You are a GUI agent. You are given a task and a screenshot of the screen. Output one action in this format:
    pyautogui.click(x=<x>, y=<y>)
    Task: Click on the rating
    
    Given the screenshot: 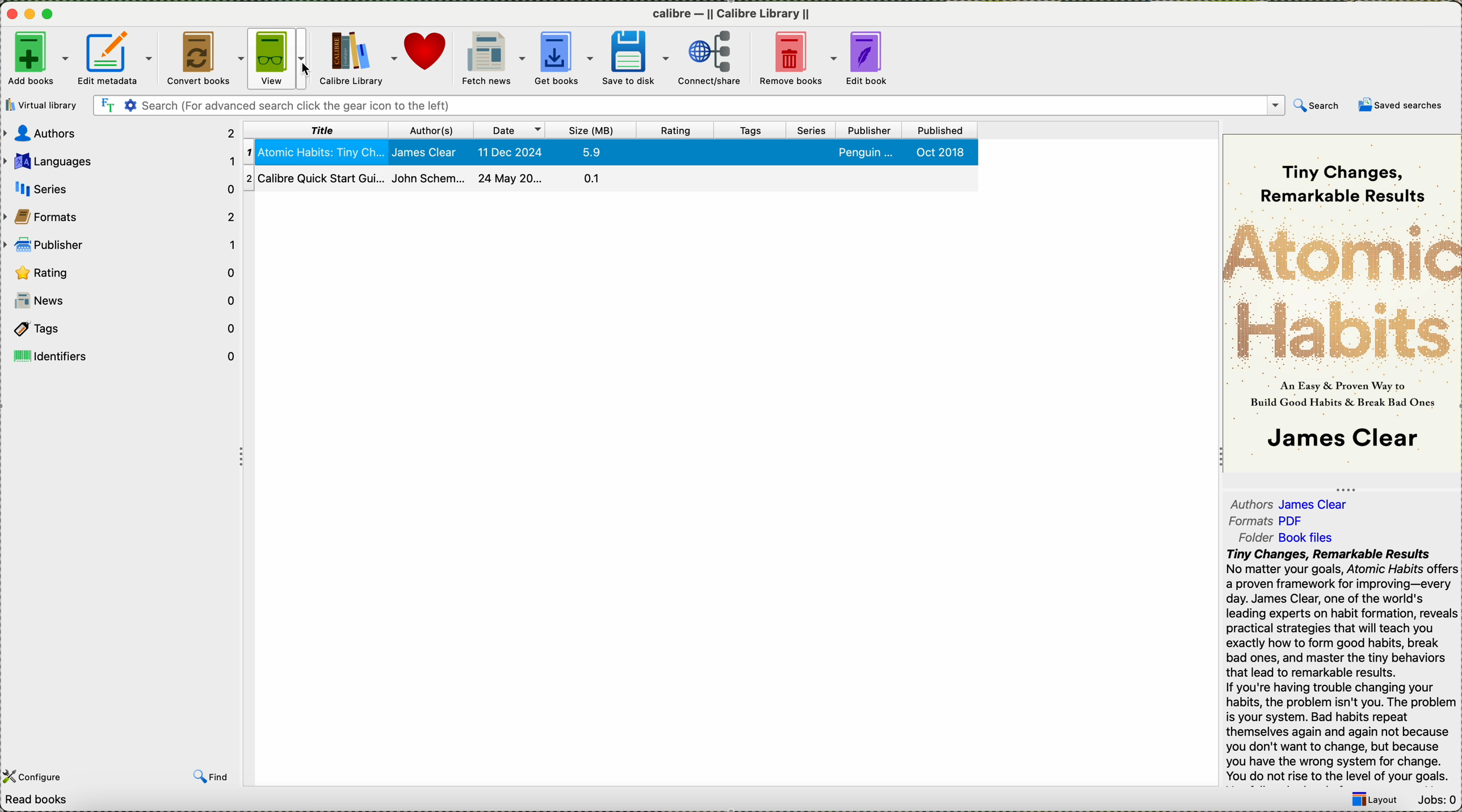 What is the action you would take?
    pyautogui.click(x=678, y=131)
    